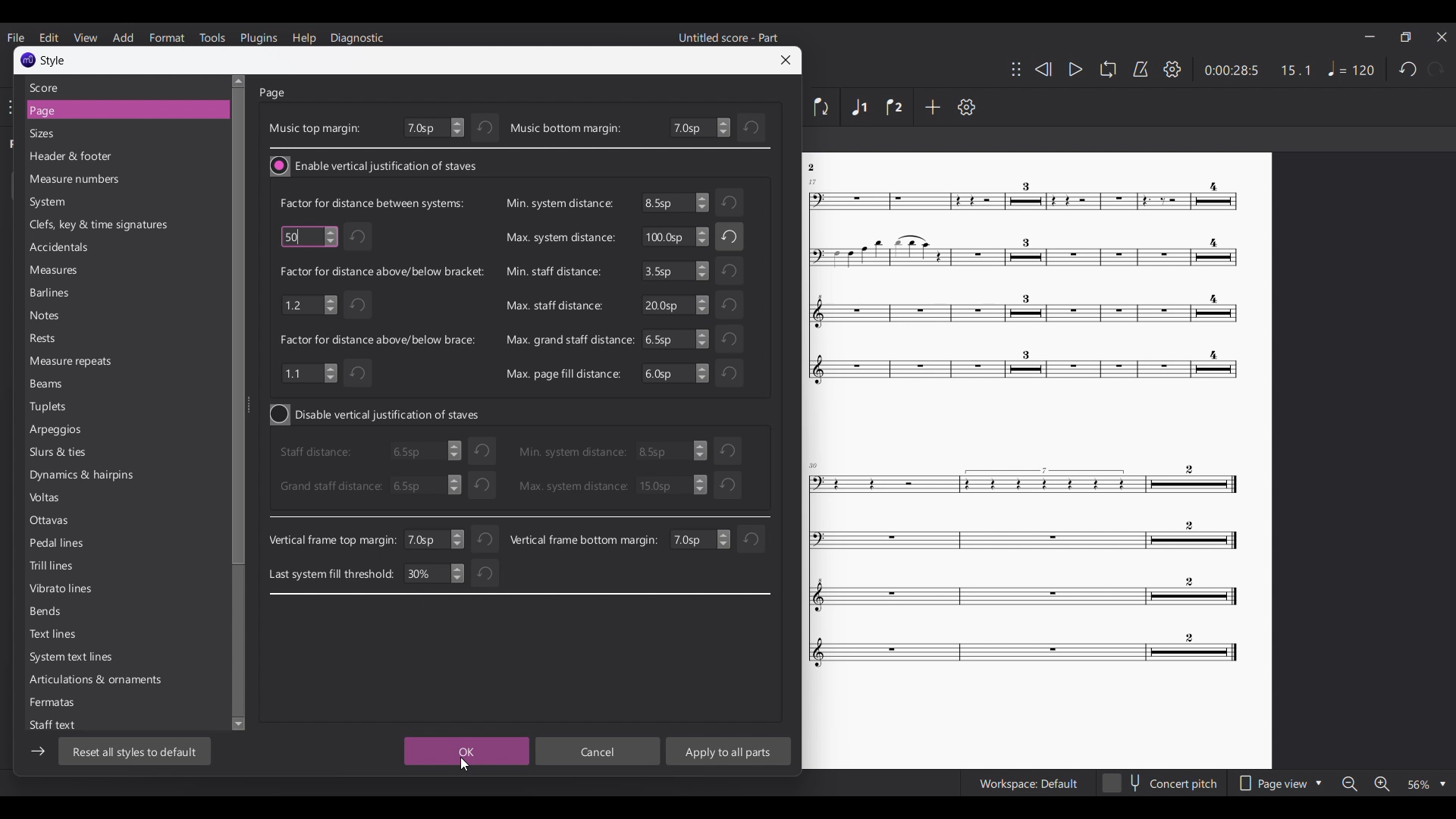 This screenshot has height=819, width=1456. What do you see at coordinates (858, 107) in the screenshot?
I see `Voice 1` at bounding box center [858, 107].